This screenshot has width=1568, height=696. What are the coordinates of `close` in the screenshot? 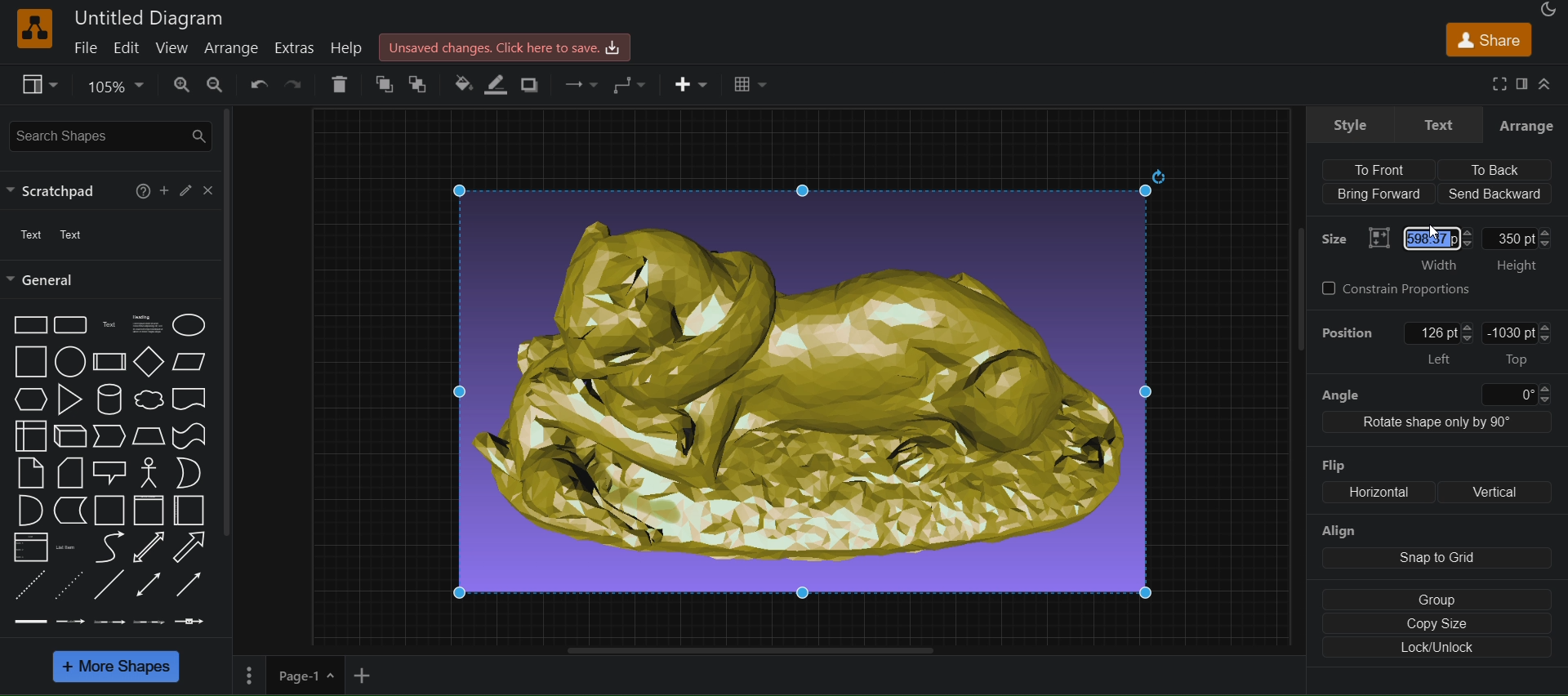 It's located at (209, 190).